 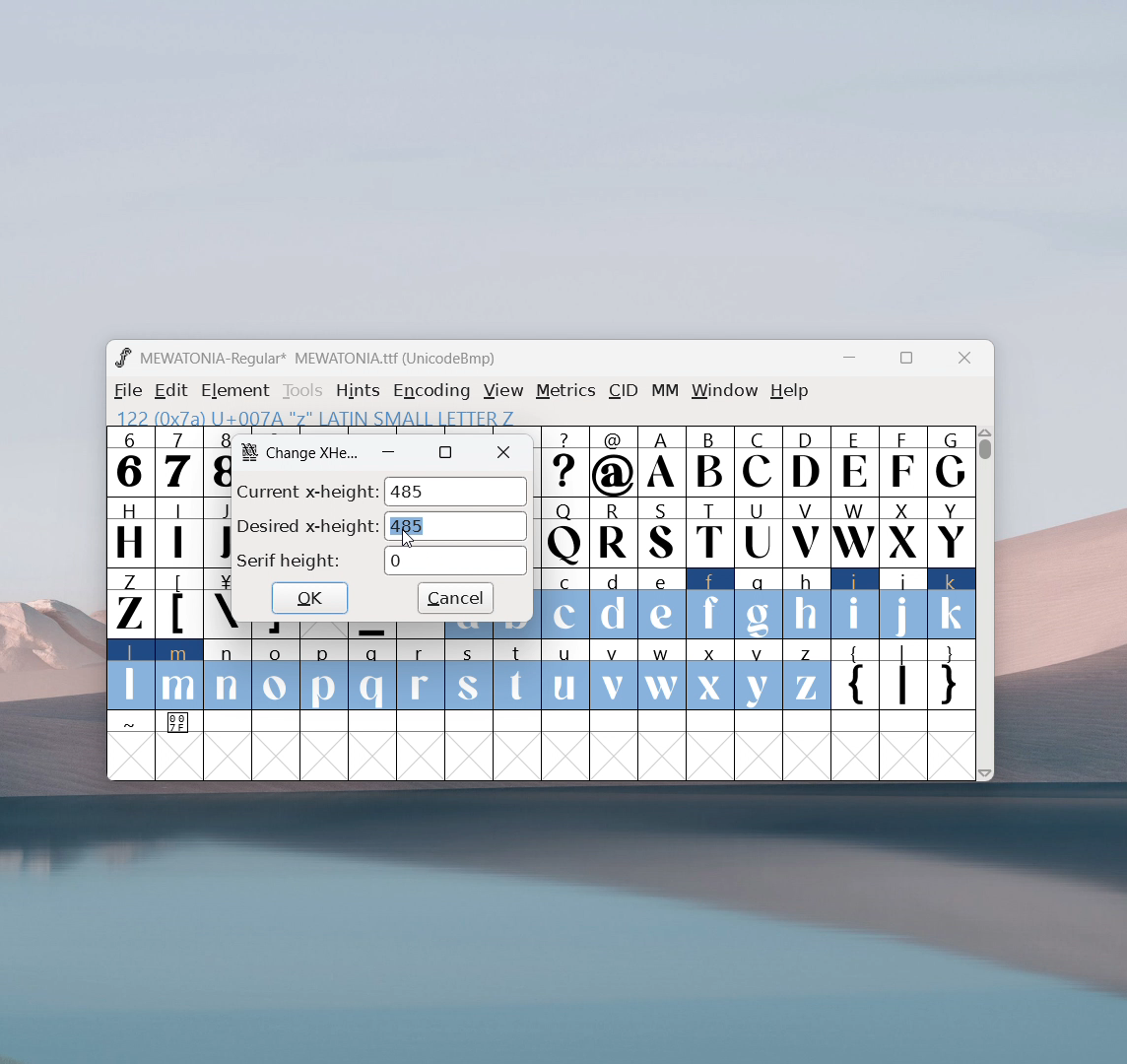 I want to click on @, so click(x=615, y=462).